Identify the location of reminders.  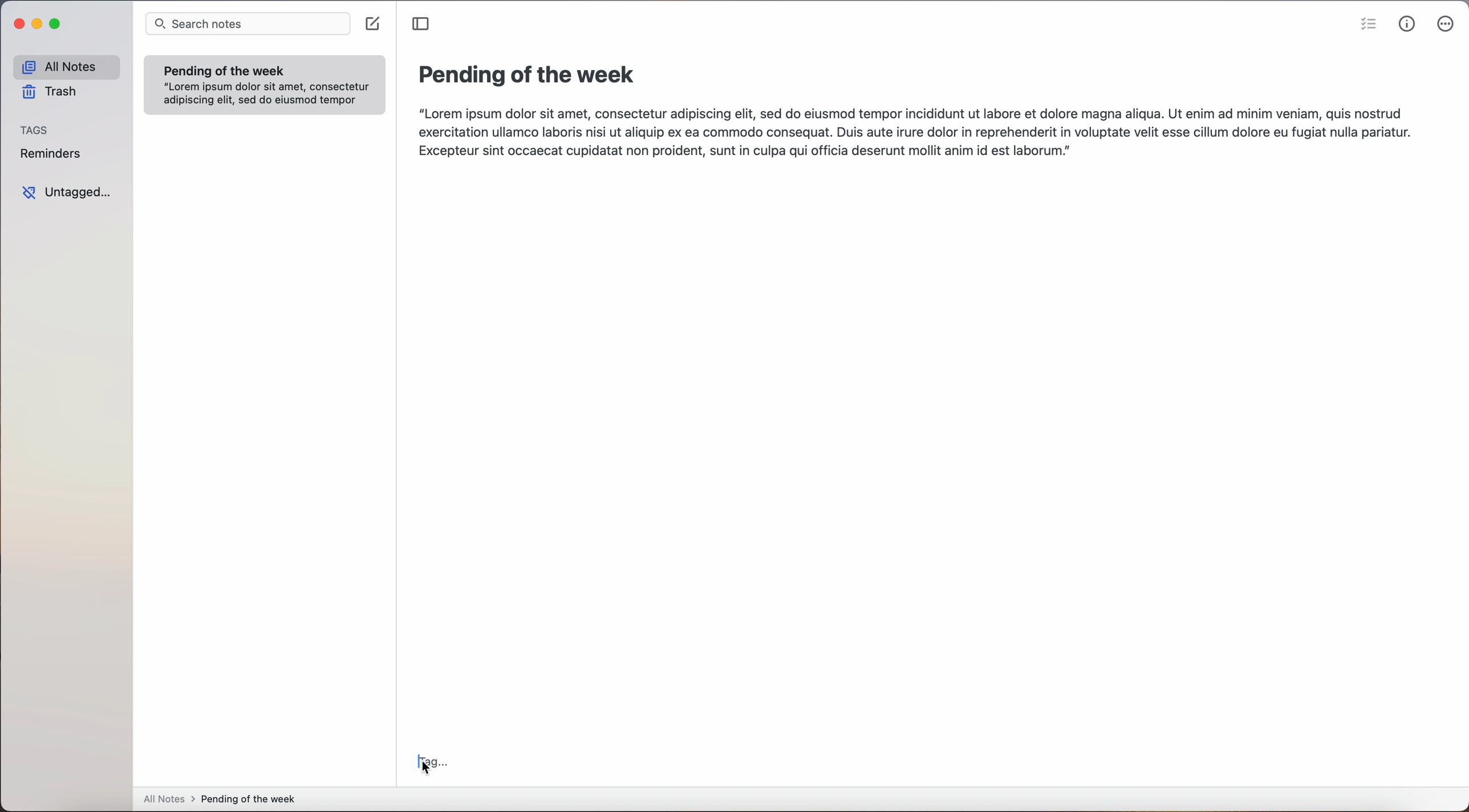
(53, 155).